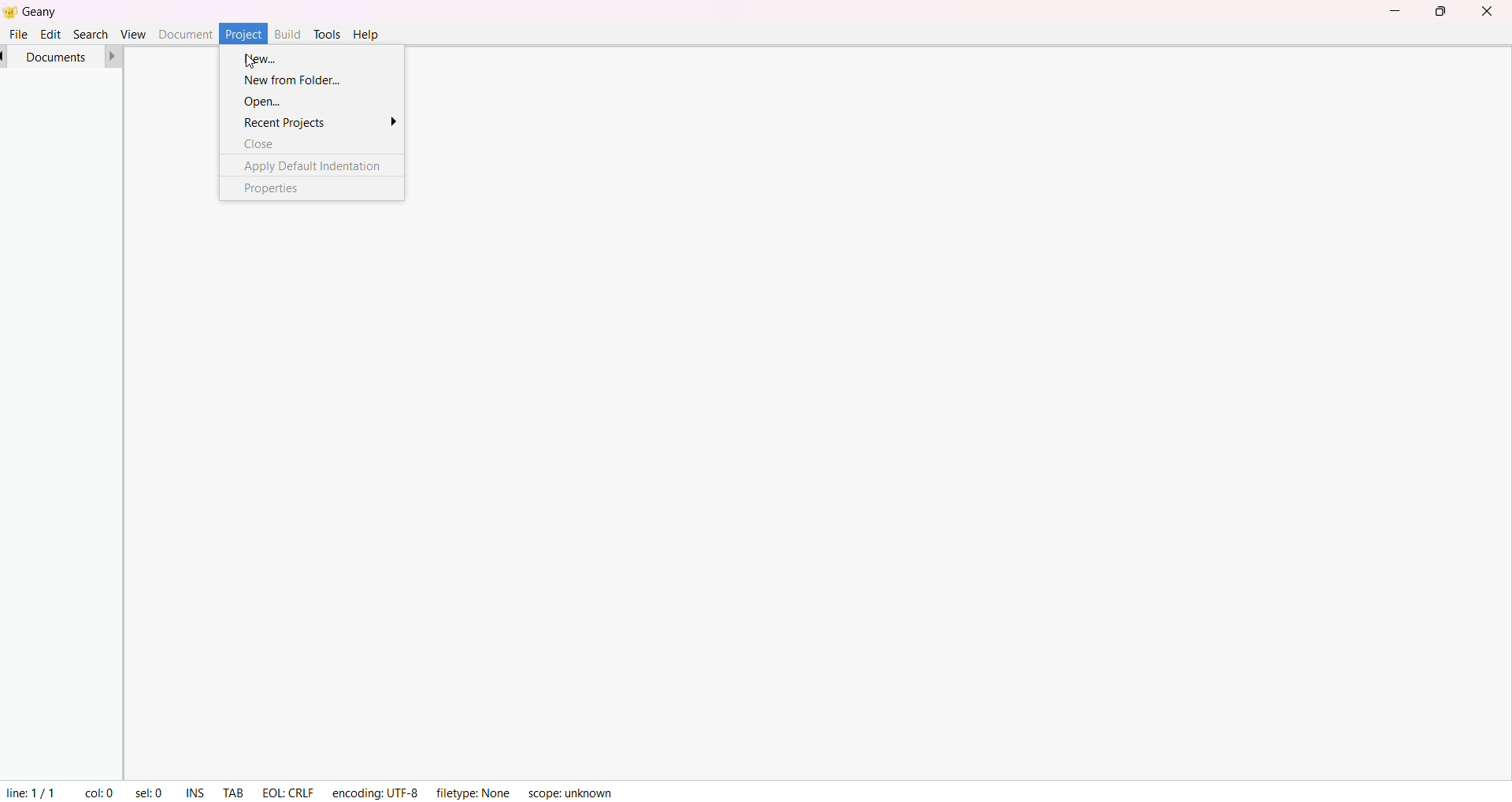 This screenshot has width=1512, height=802. I want to click on open, so click(265, 101).